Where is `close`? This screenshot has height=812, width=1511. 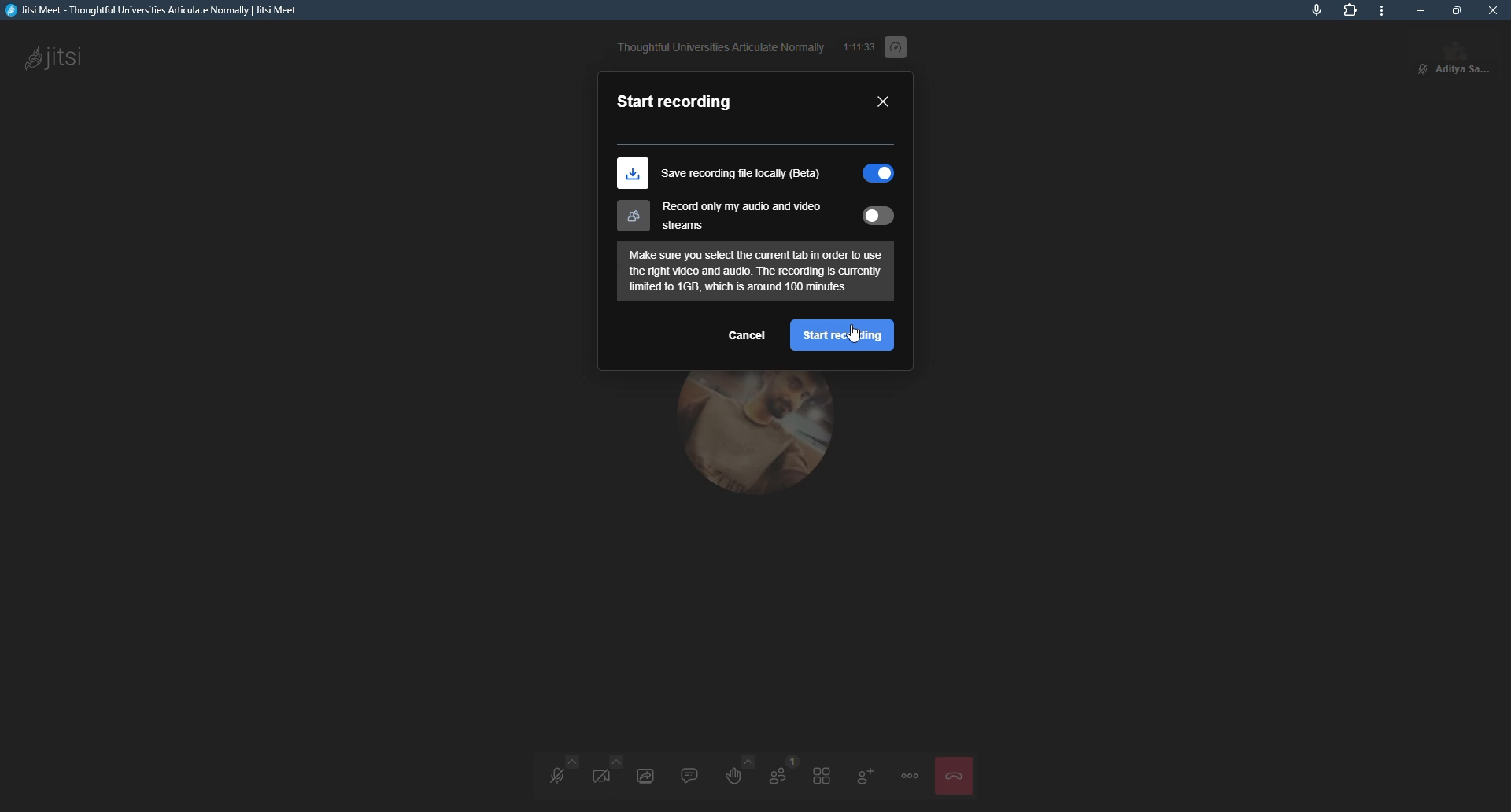
close is located at coordinates (885, 102).